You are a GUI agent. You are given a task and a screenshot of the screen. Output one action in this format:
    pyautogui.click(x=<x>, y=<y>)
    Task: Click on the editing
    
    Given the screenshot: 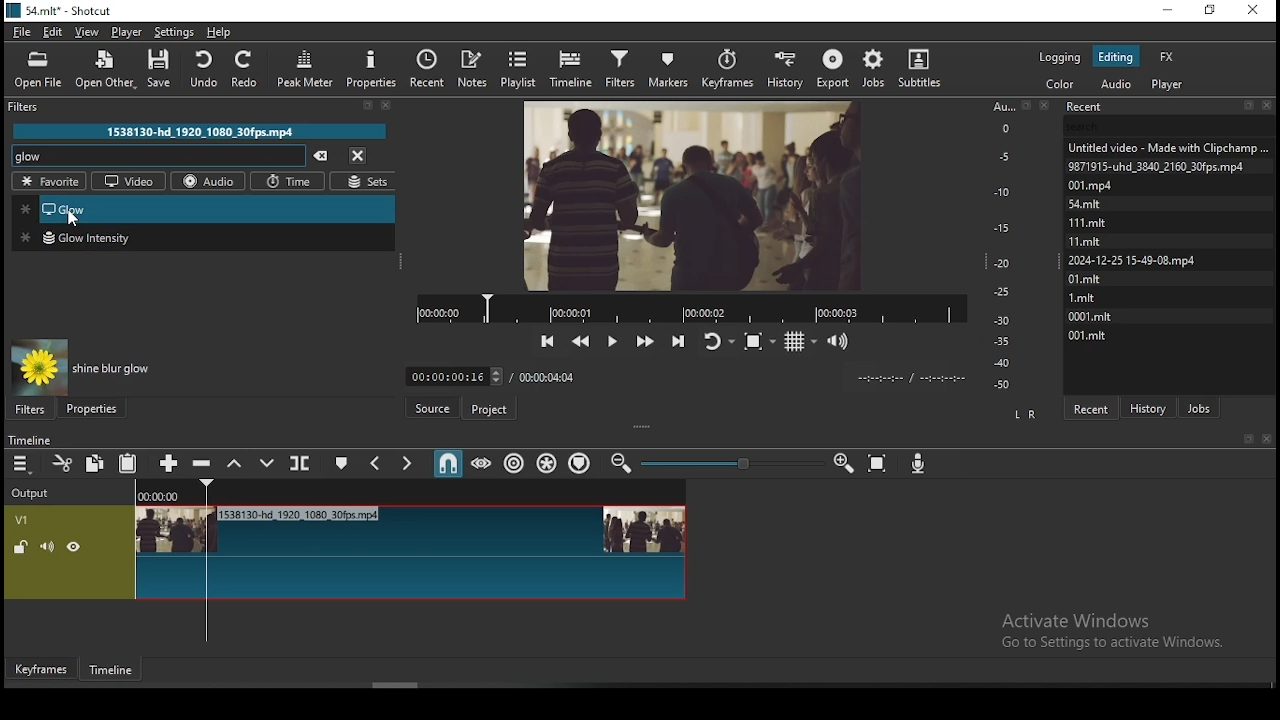 What is the action you would take?
    pyautogui.click(x=1115, y=56)
    